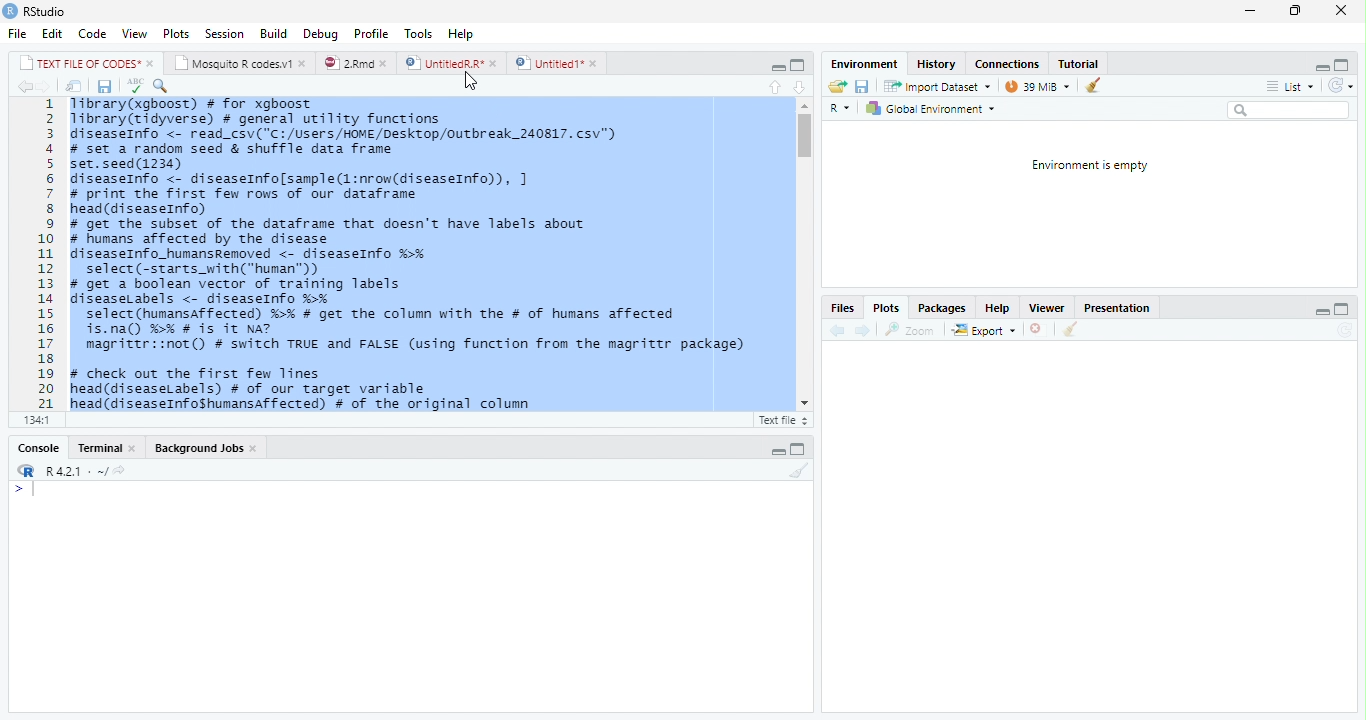  I want to click on Compile Report, so click(301, 85).